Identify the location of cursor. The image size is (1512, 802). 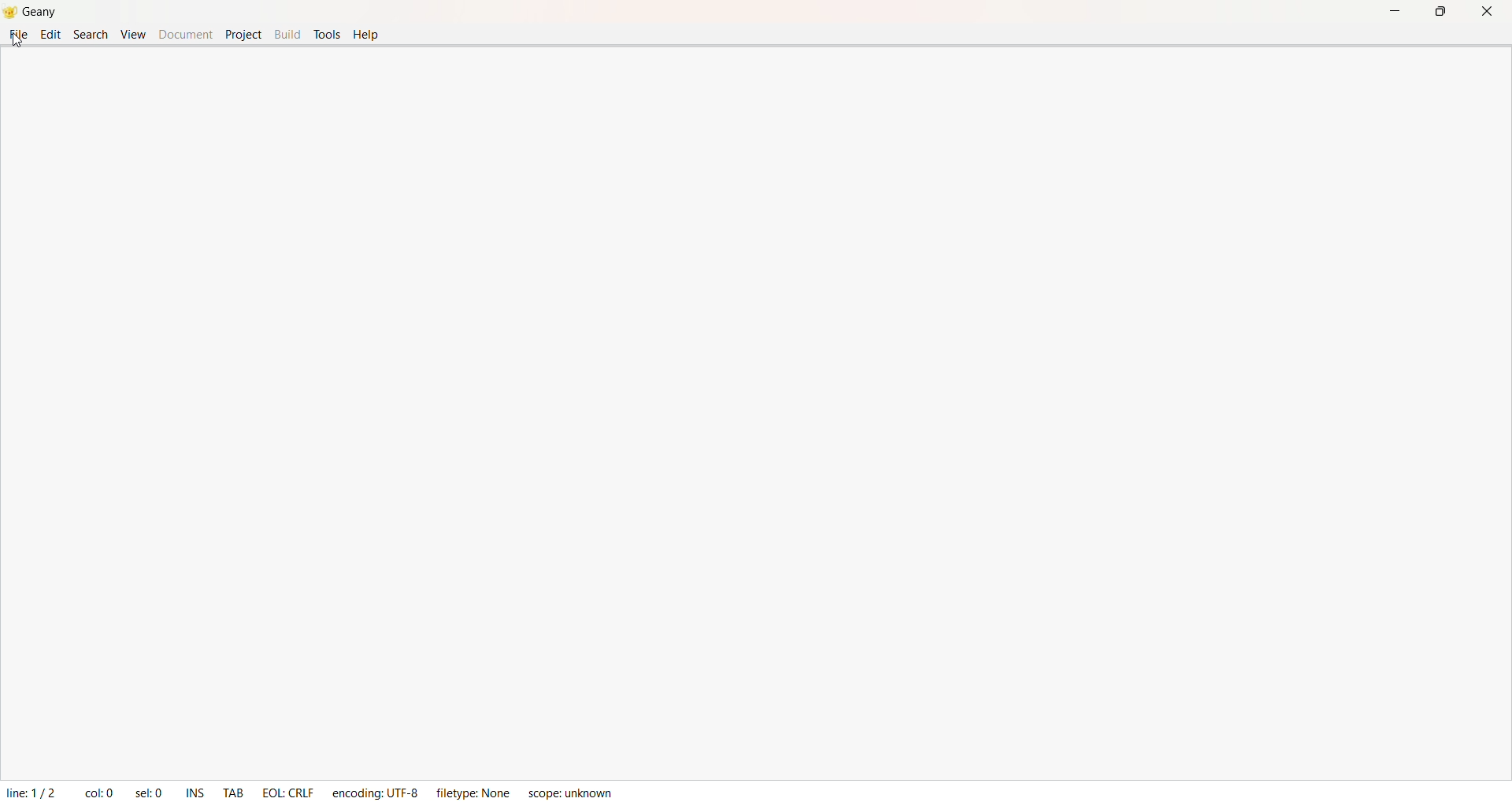
(20, 44).